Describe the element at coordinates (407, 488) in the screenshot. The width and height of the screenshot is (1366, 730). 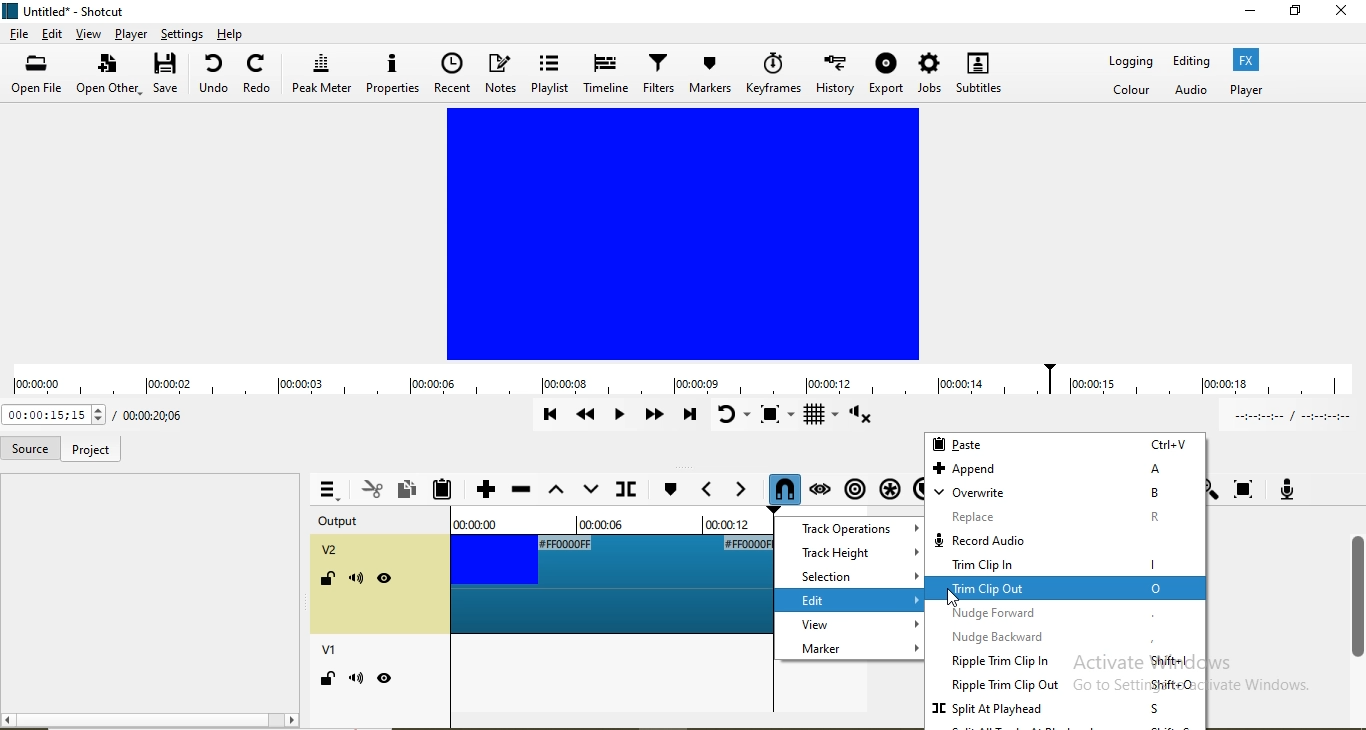
I see `Copy` at that location.